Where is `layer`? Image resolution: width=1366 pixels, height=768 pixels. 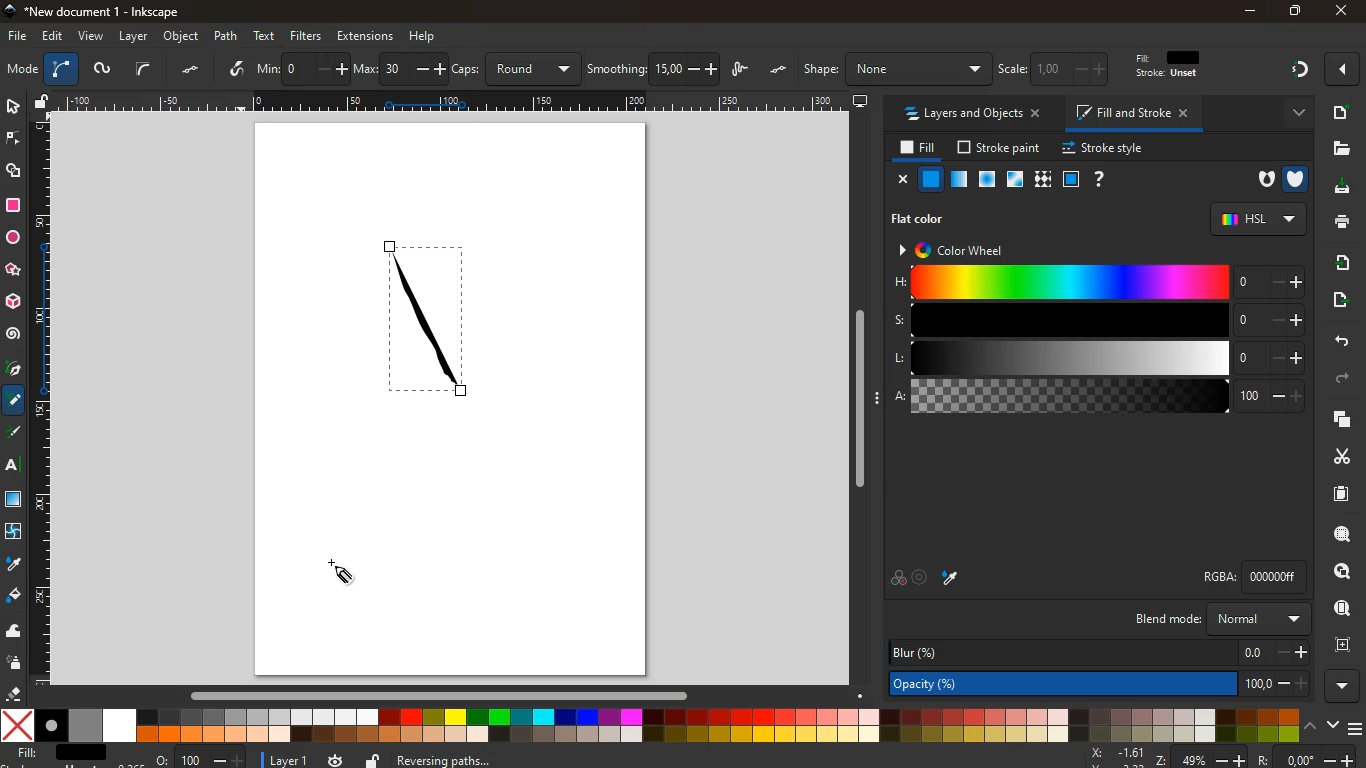 layer is located at coordinates (290, 761).